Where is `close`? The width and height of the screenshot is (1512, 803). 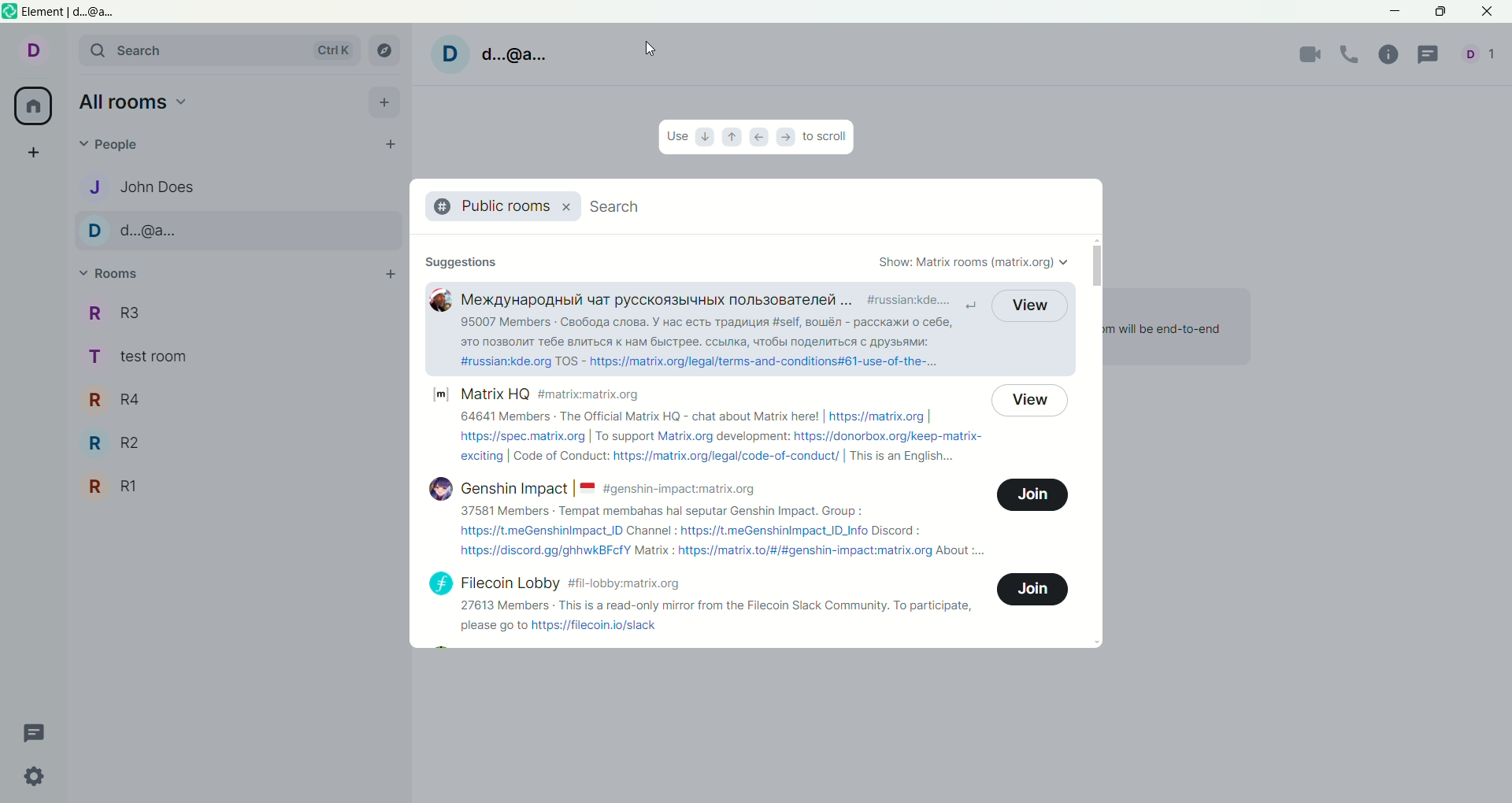
close is located at coordinates (1489, 12).